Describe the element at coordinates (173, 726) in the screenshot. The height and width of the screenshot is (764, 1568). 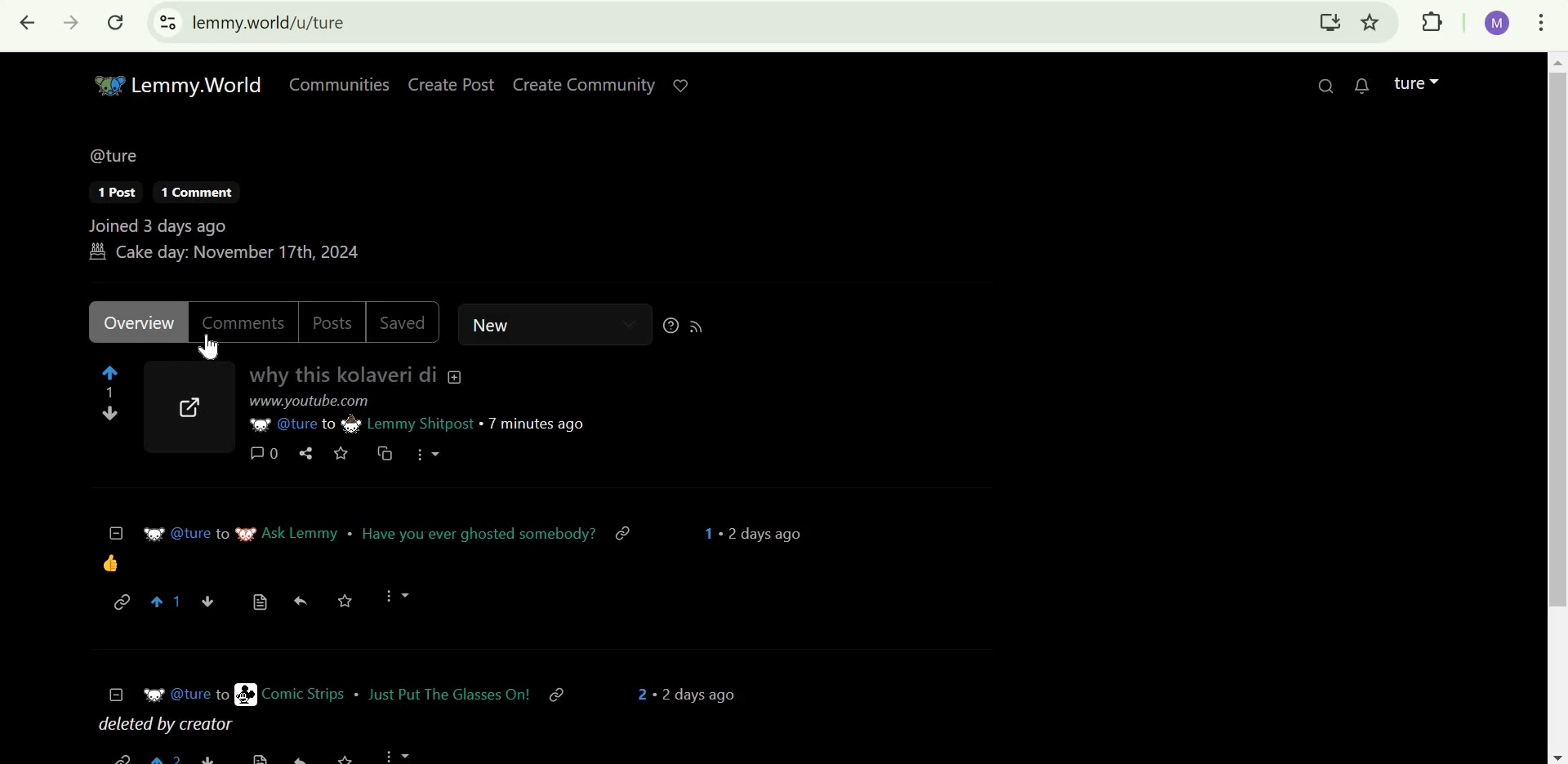
I see `deleted by creator` at that location.